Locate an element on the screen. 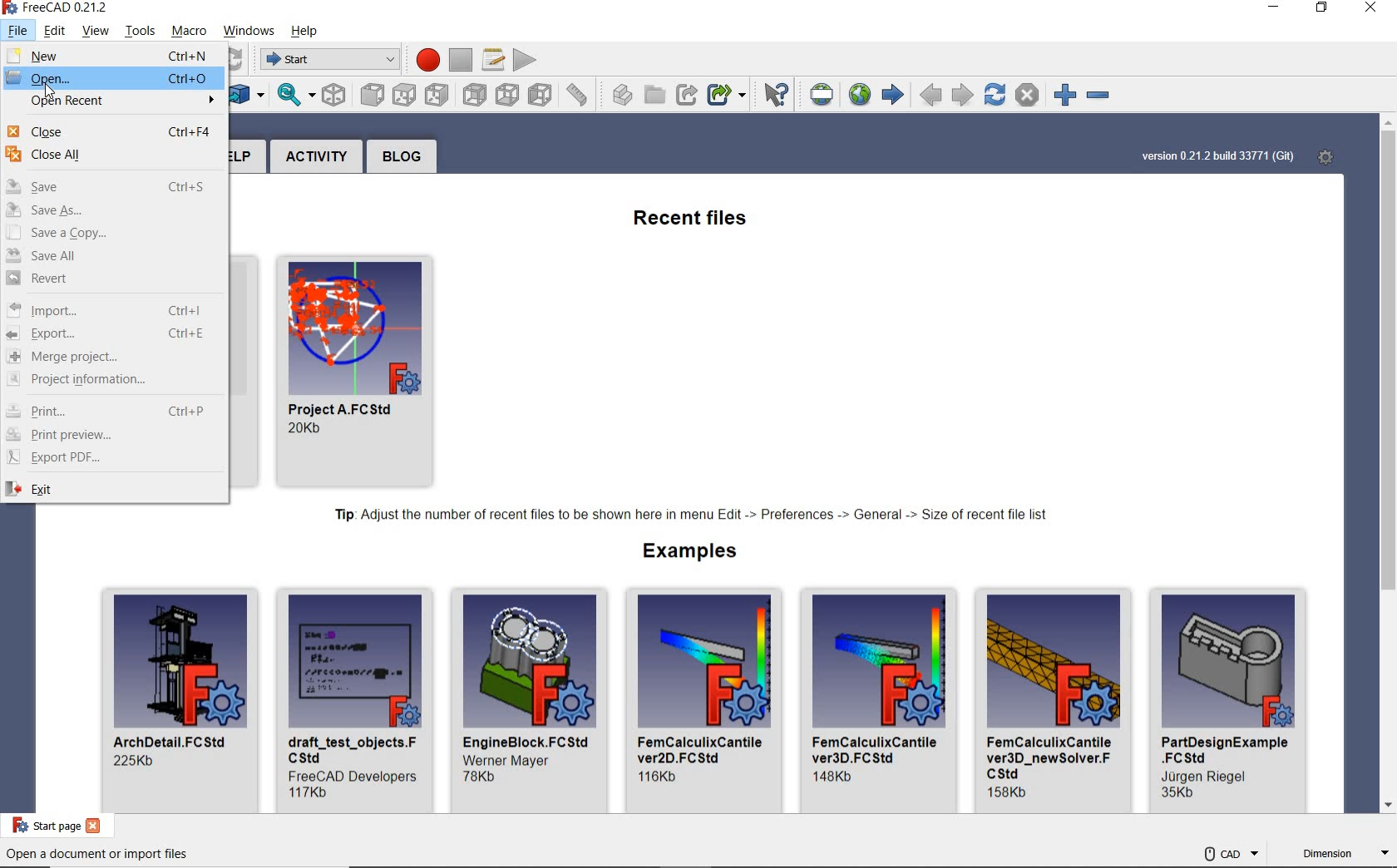  RESTORE DOWN is located at coordinates (1323, 9).